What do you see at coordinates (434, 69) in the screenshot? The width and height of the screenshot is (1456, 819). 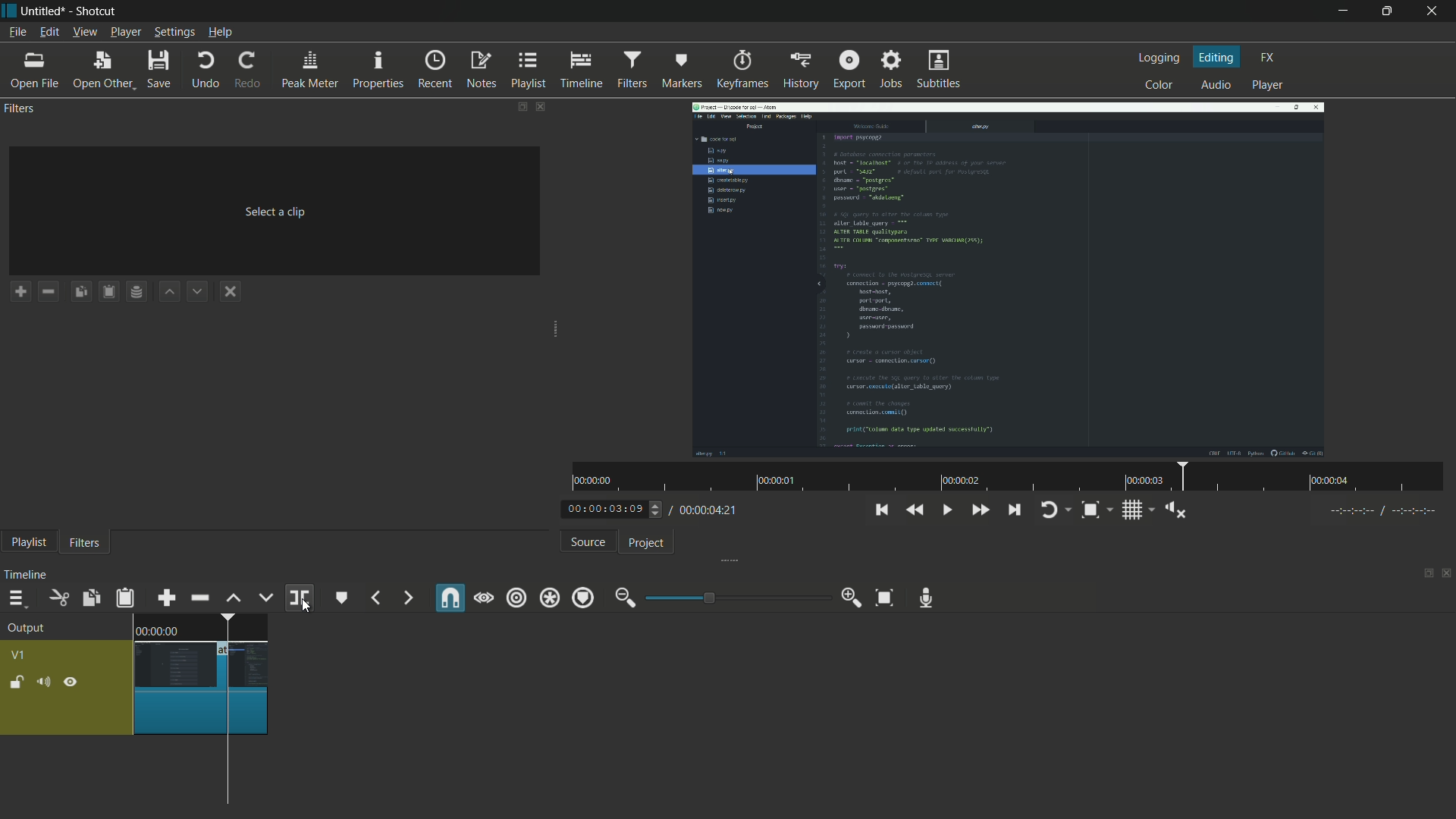 I see `recent` at bounding box center [434, 69].